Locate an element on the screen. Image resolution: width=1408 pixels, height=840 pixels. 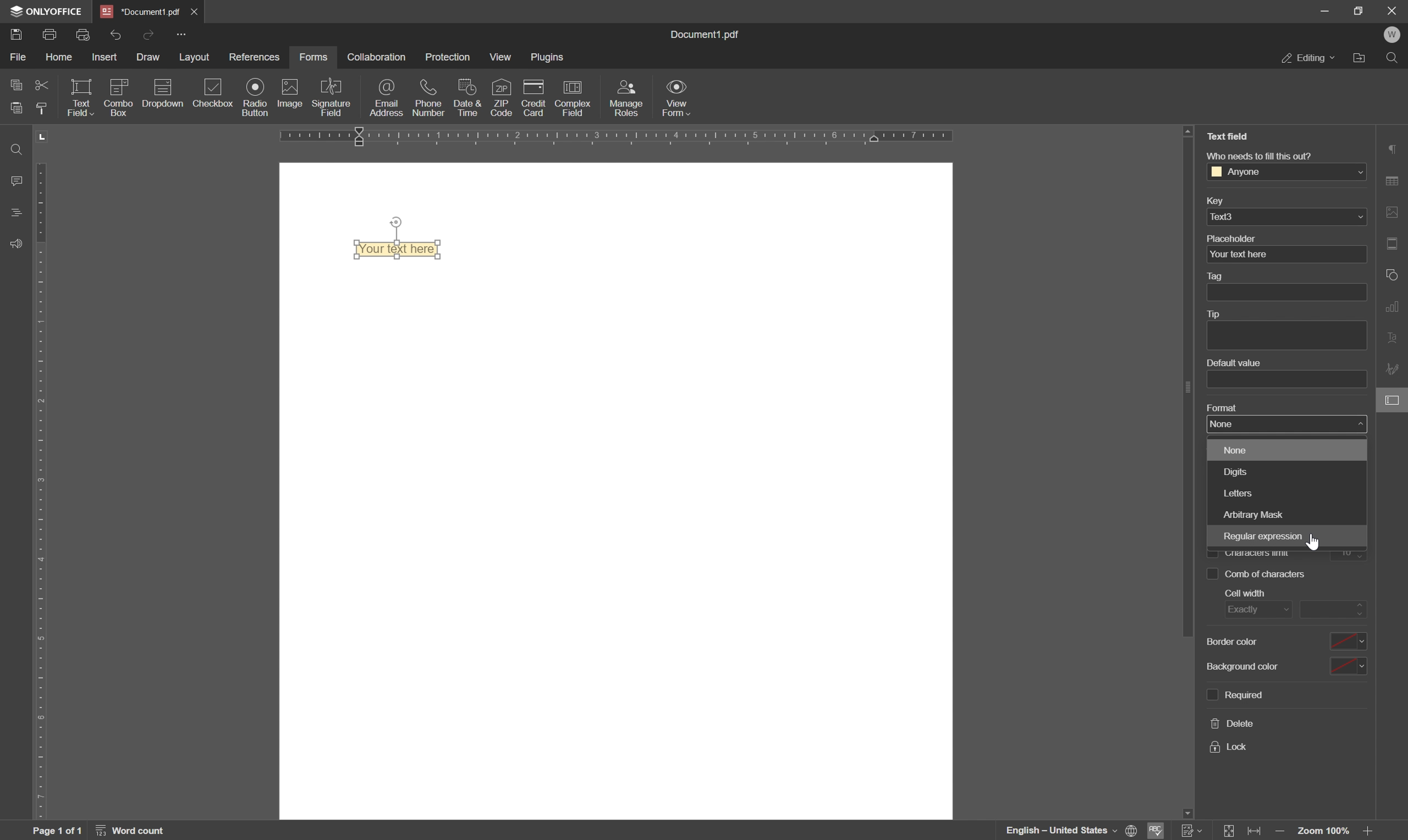
plugins is located at coordinates (549, 58).